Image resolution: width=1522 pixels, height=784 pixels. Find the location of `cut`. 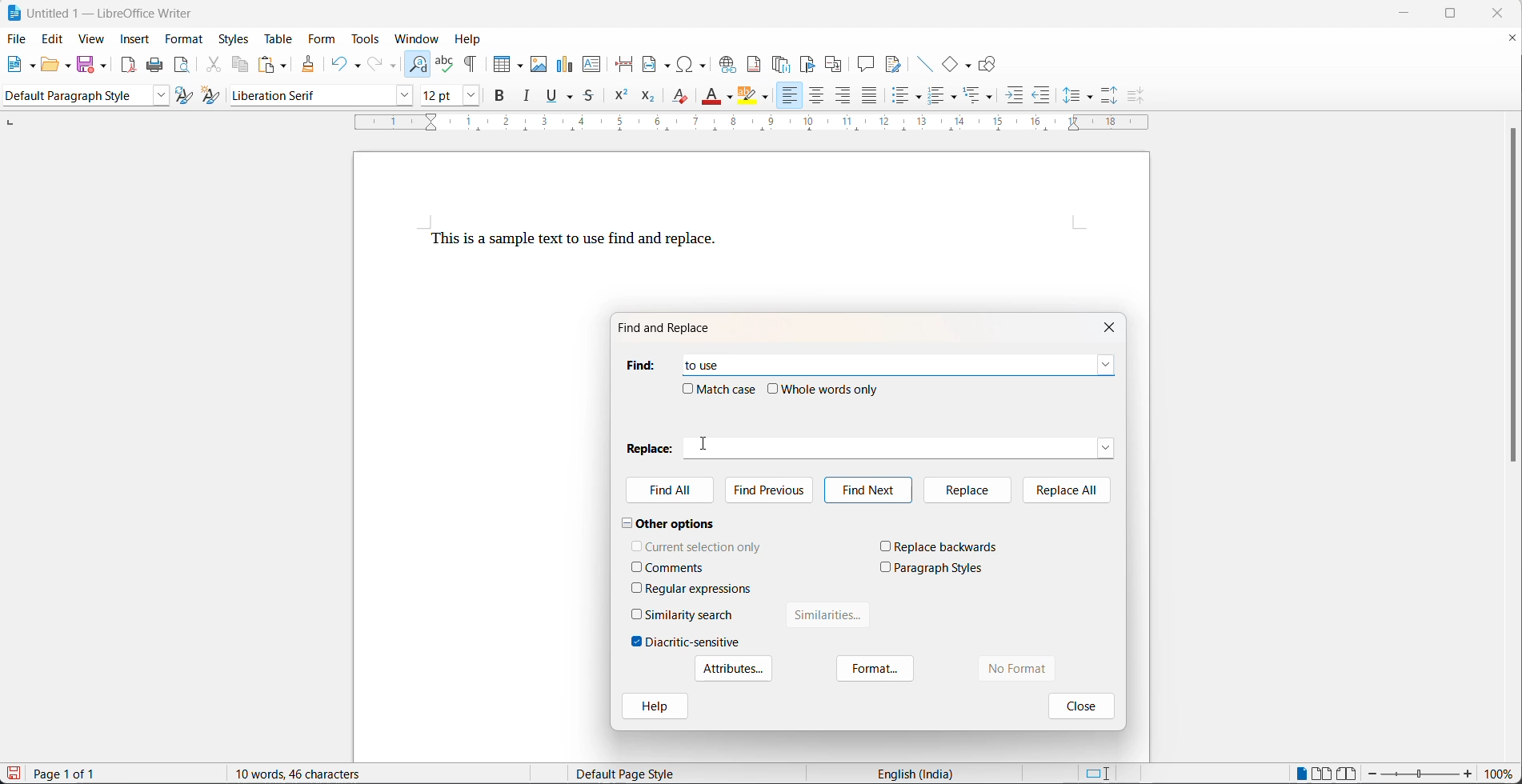

cut is located at coordinates (214, 66).